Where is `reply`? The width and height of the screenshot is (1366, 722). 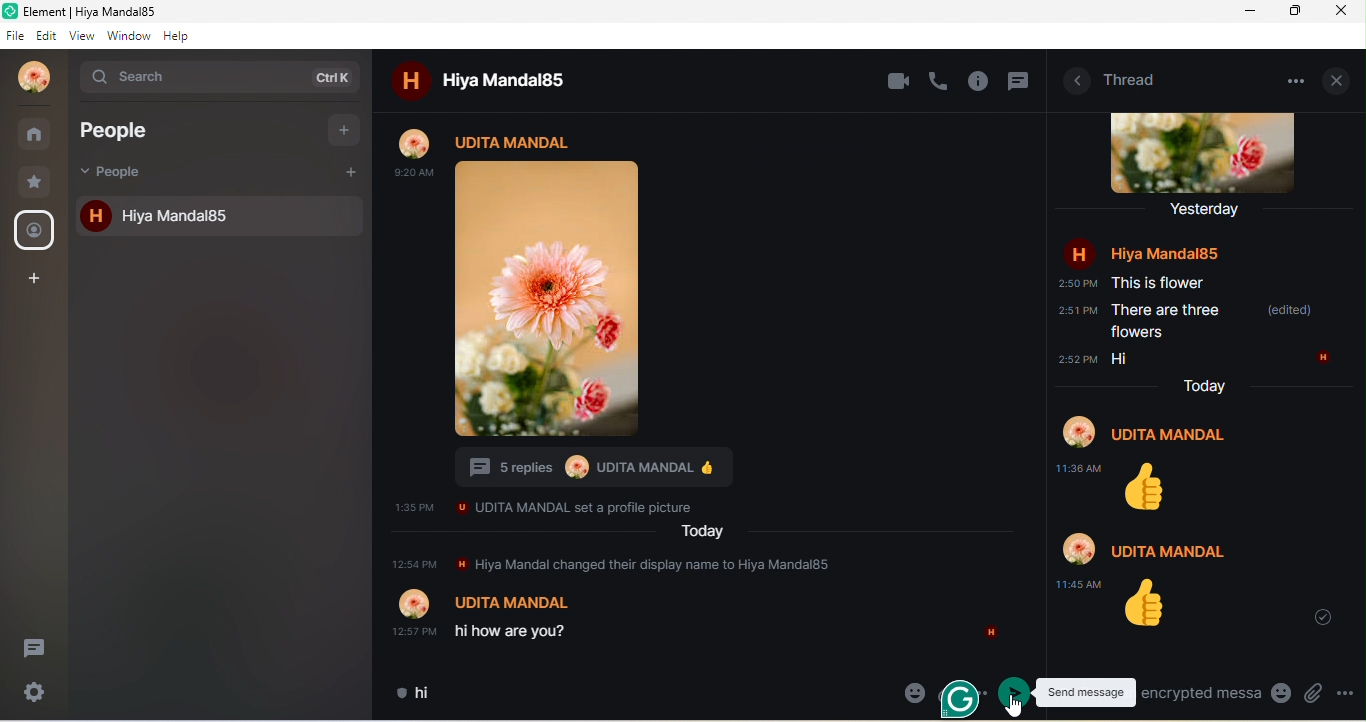
reply is located at coordinates (816, 146).